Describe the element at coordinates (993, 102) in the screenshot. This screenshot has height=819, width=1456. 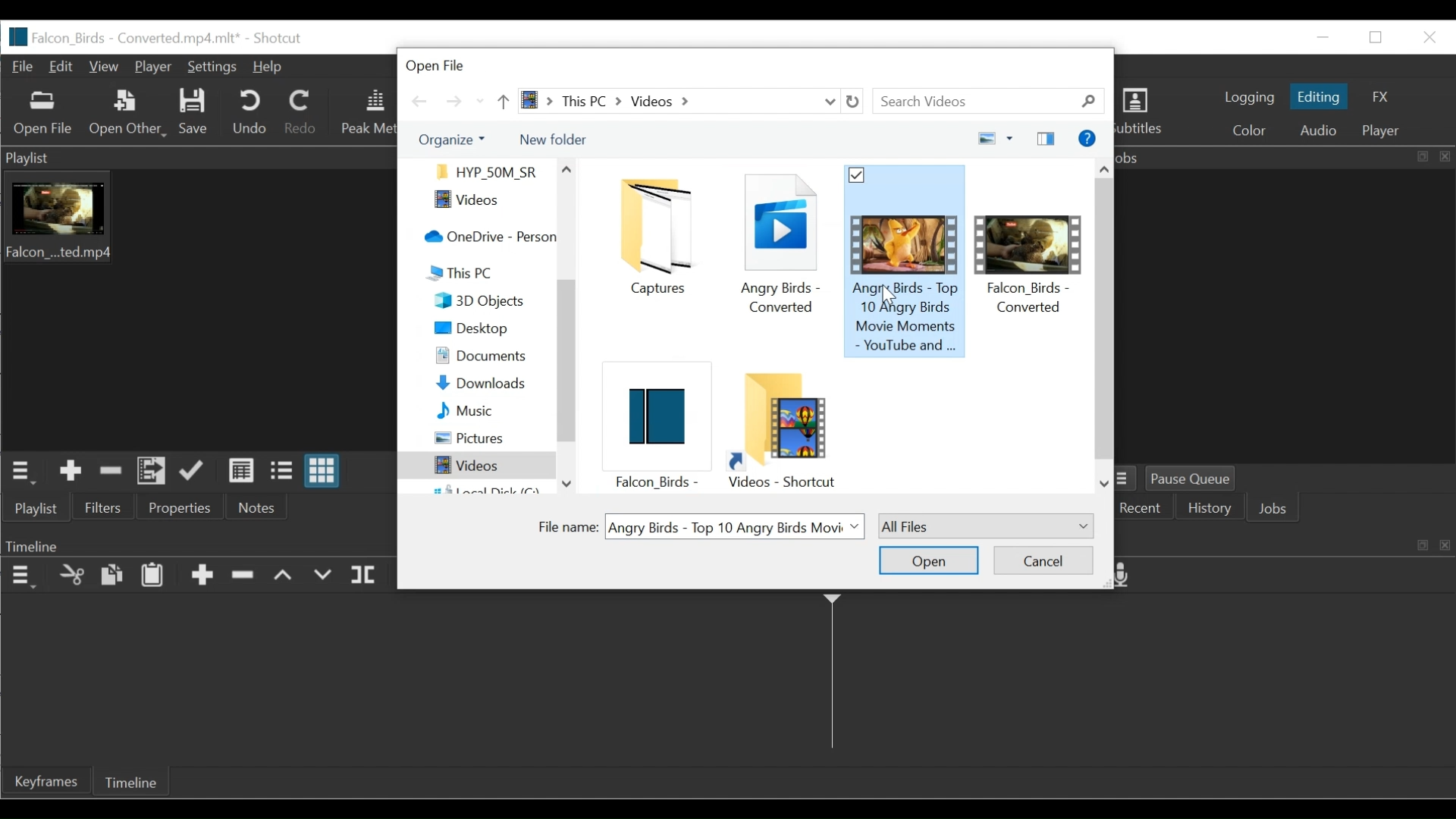
I see `Search` at that location.